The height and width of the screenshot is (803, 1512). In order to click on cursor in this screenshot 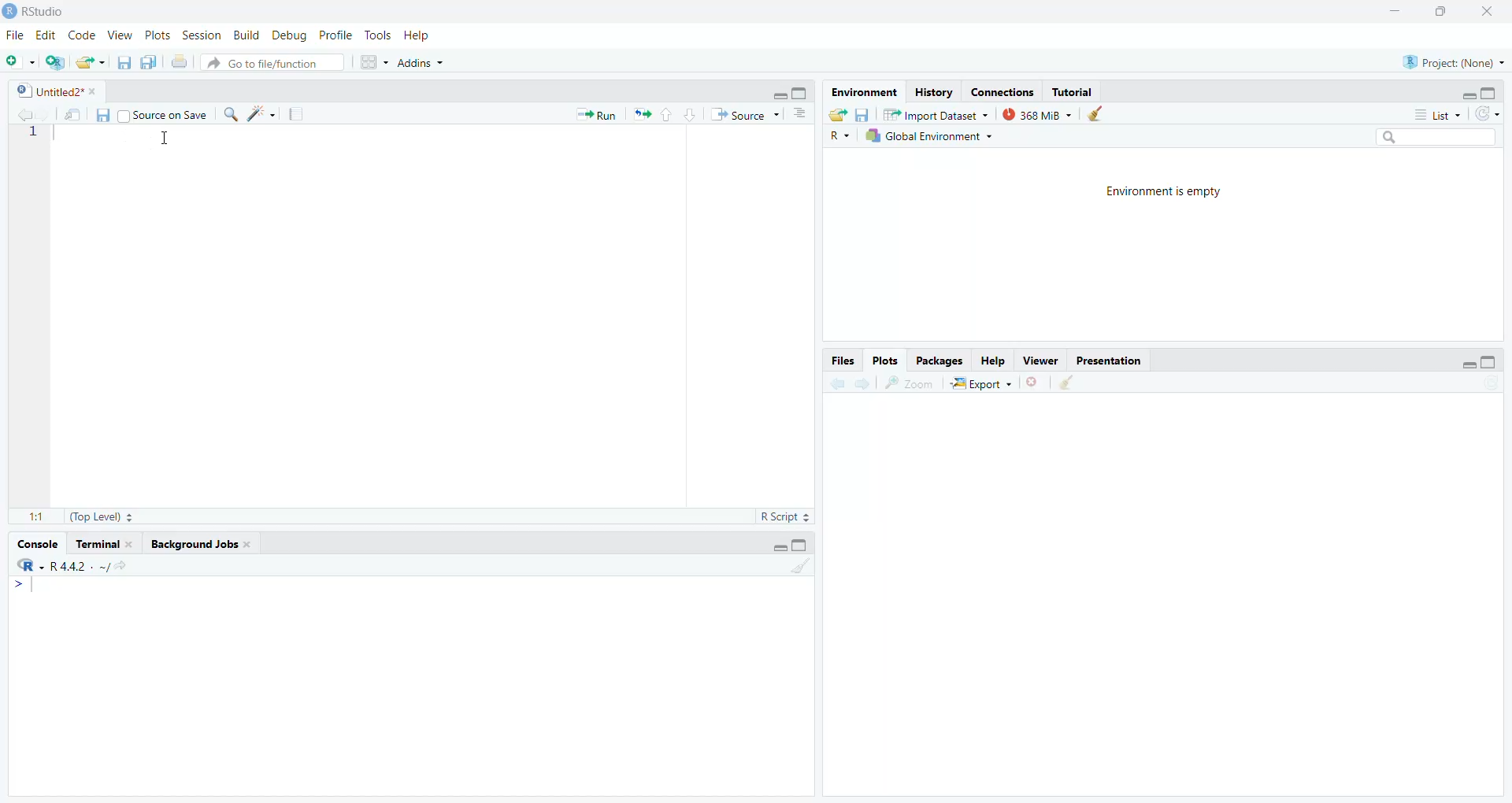, I will do `click(164, 139)`.